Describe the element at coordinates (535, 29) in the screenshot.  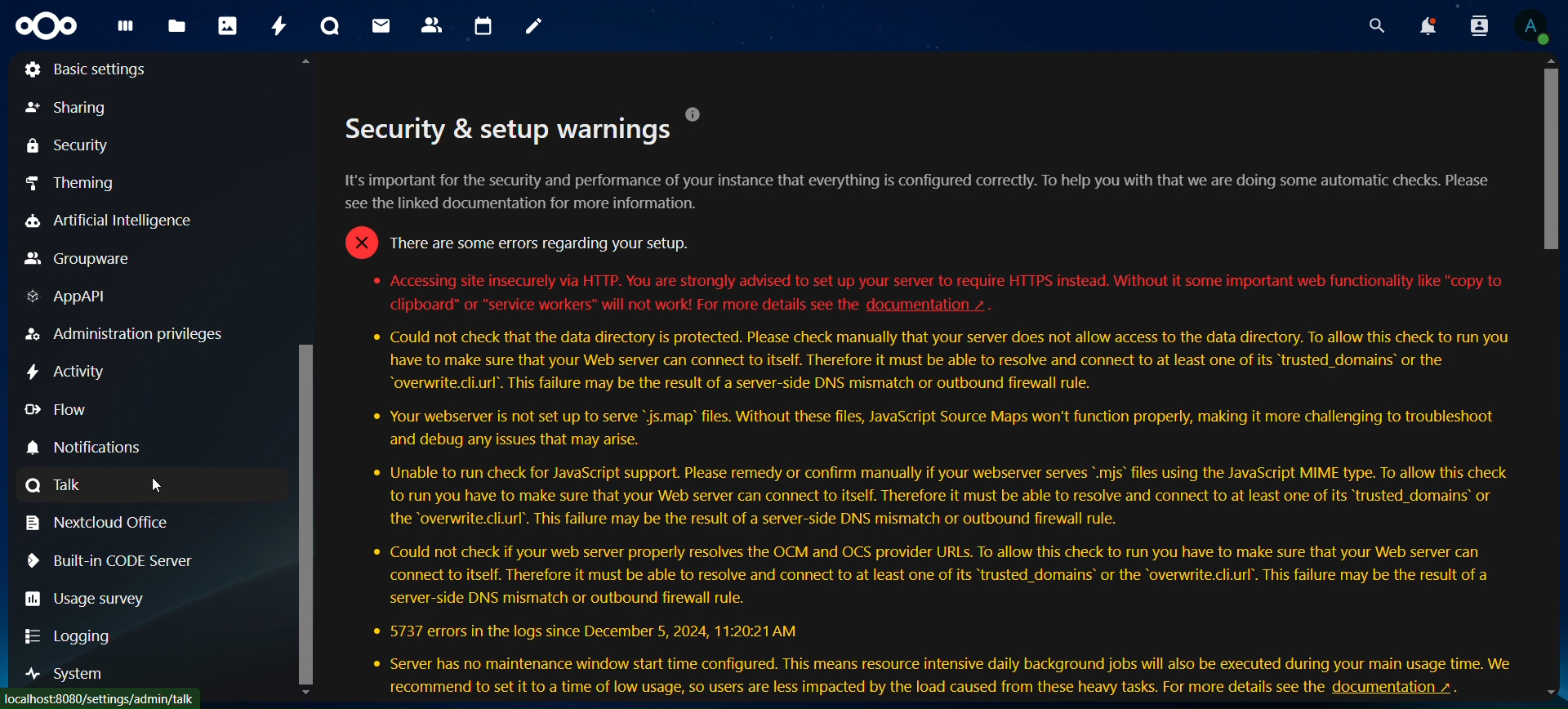
I see `notes` at that location.